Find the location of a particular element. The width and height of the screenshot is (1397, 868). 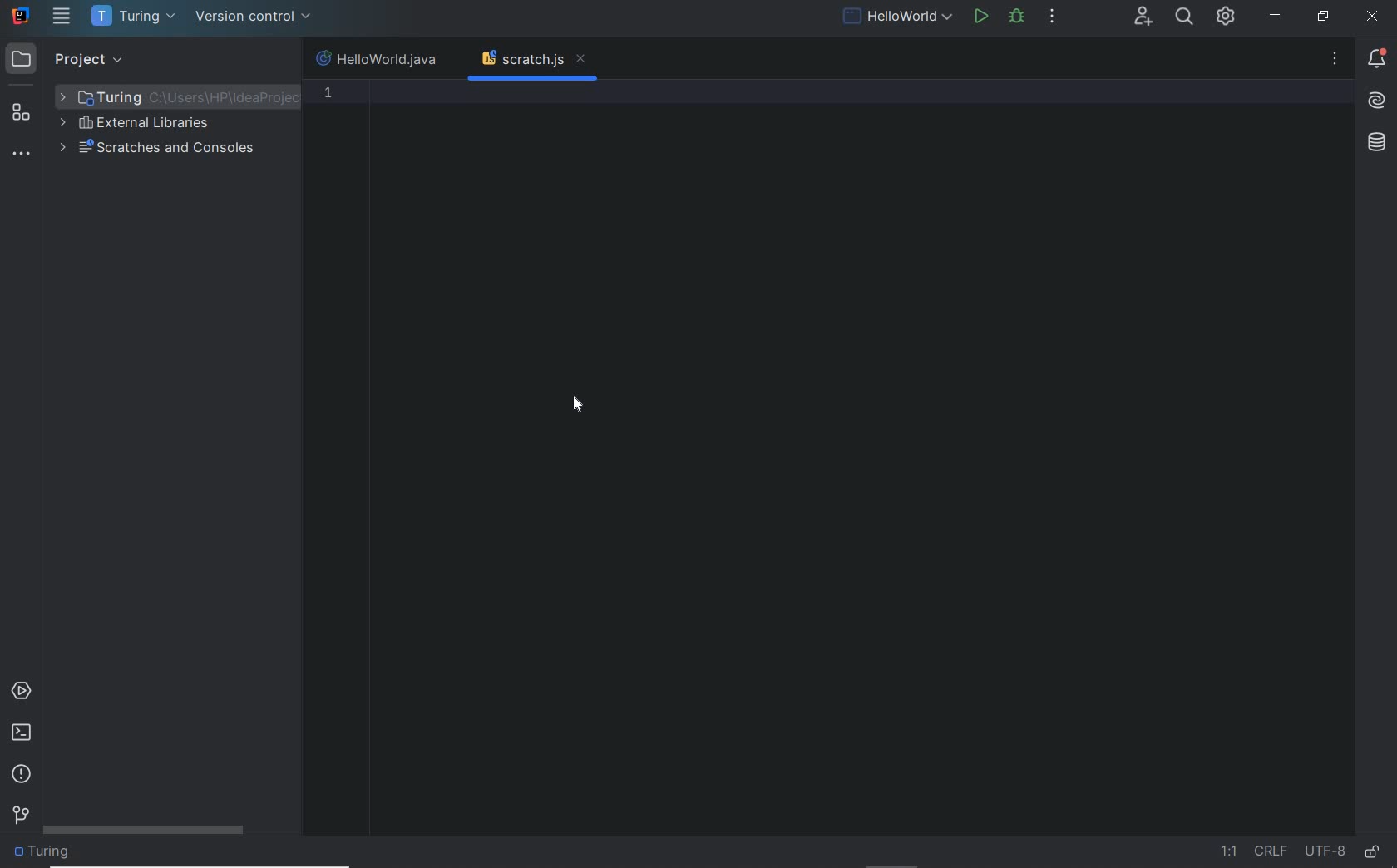

more actions is located at coordinates (1053, 18).